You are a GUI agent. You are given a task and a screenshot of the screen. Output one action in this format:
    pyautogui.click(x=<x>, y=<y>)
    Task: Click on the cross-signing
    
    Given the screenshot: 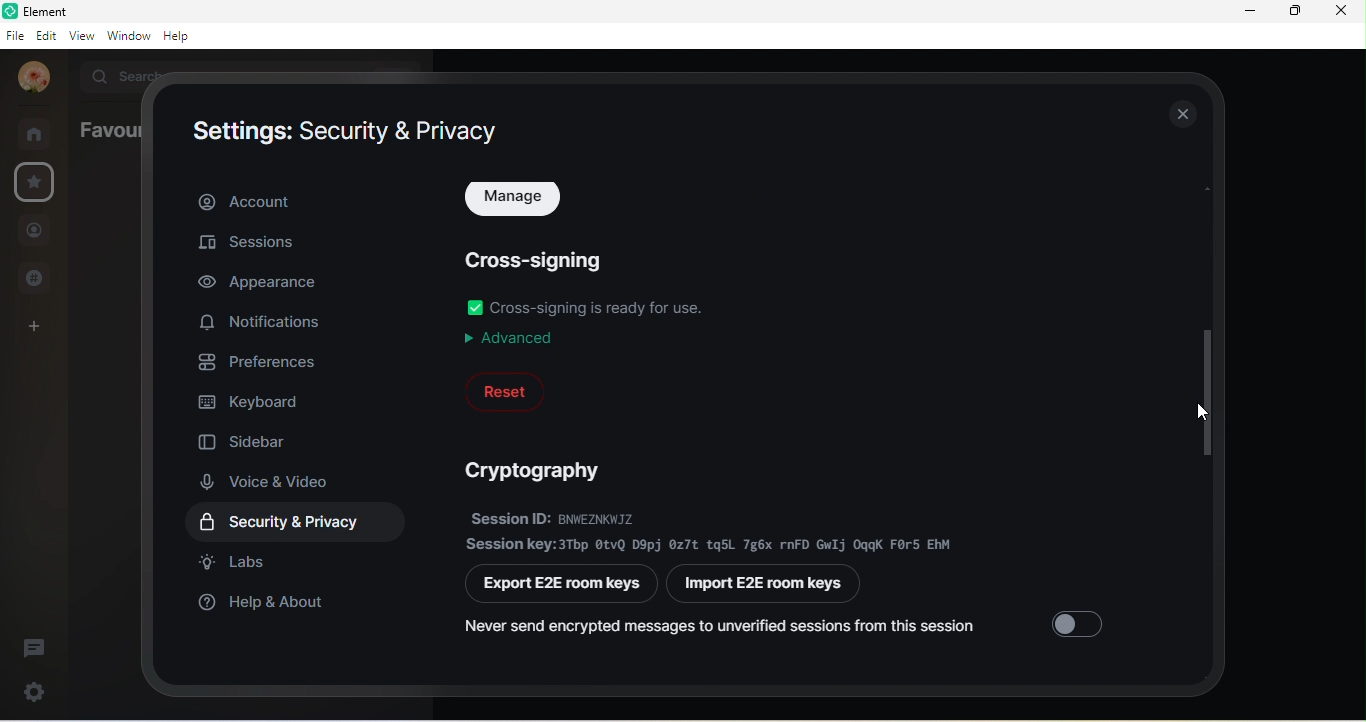 What is the action you would take?
    pyautogui.click(x=541, y=257)
    